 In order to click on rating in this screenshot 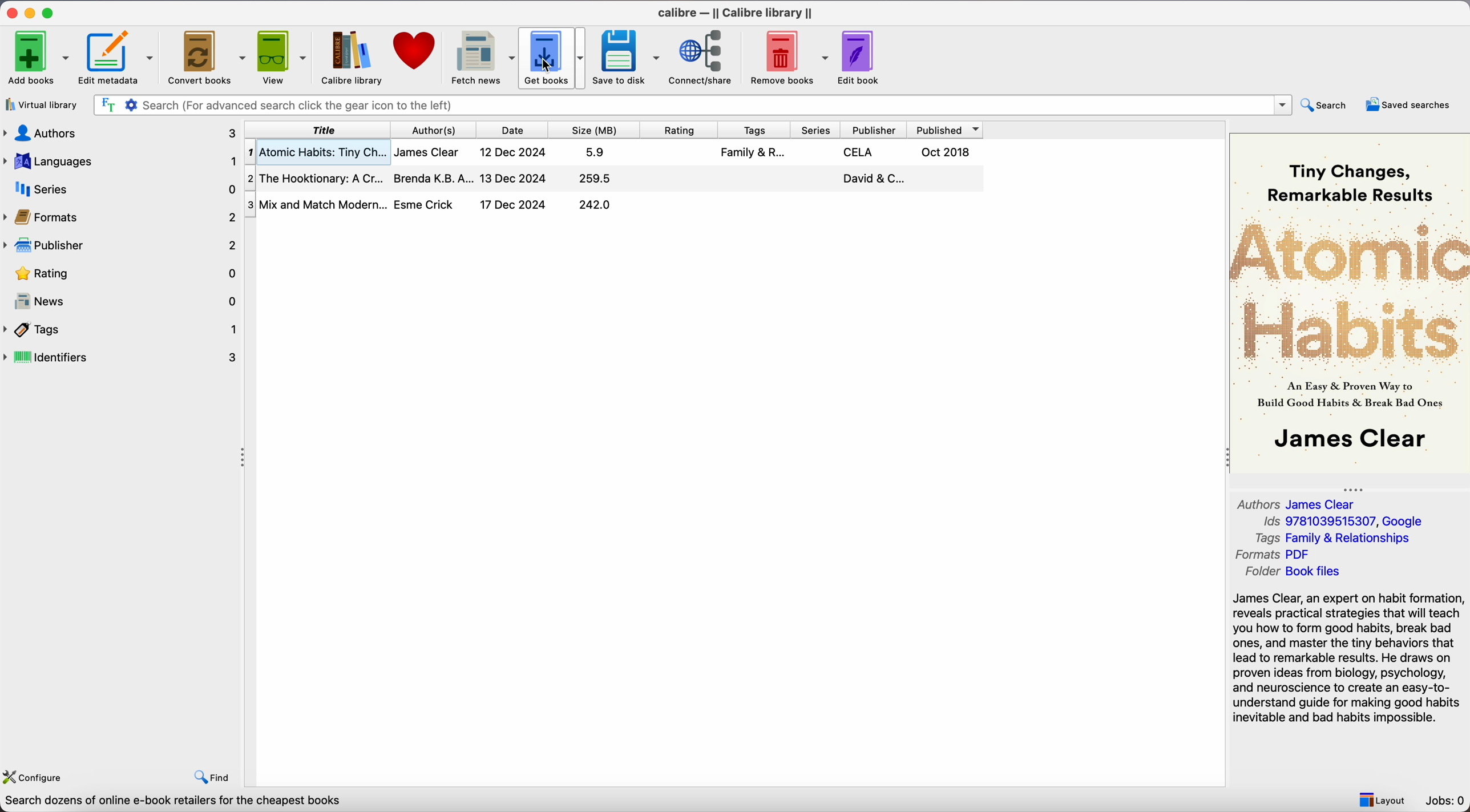, I will do `click(680, 130)`.